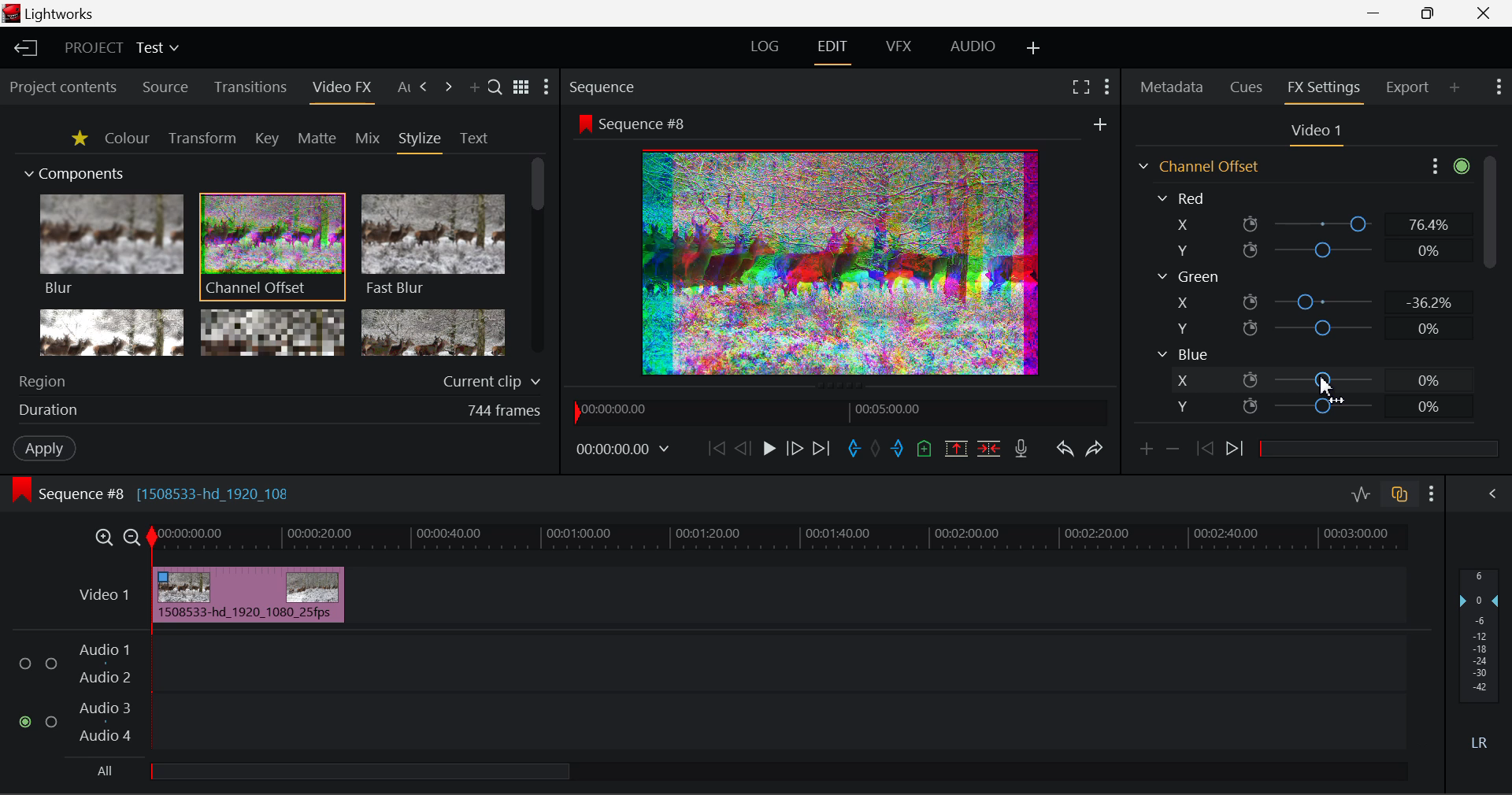 Image resolution: width=1512 pixels, height=795 pixels. I want to click on Preview Altered, so click(852, 260).